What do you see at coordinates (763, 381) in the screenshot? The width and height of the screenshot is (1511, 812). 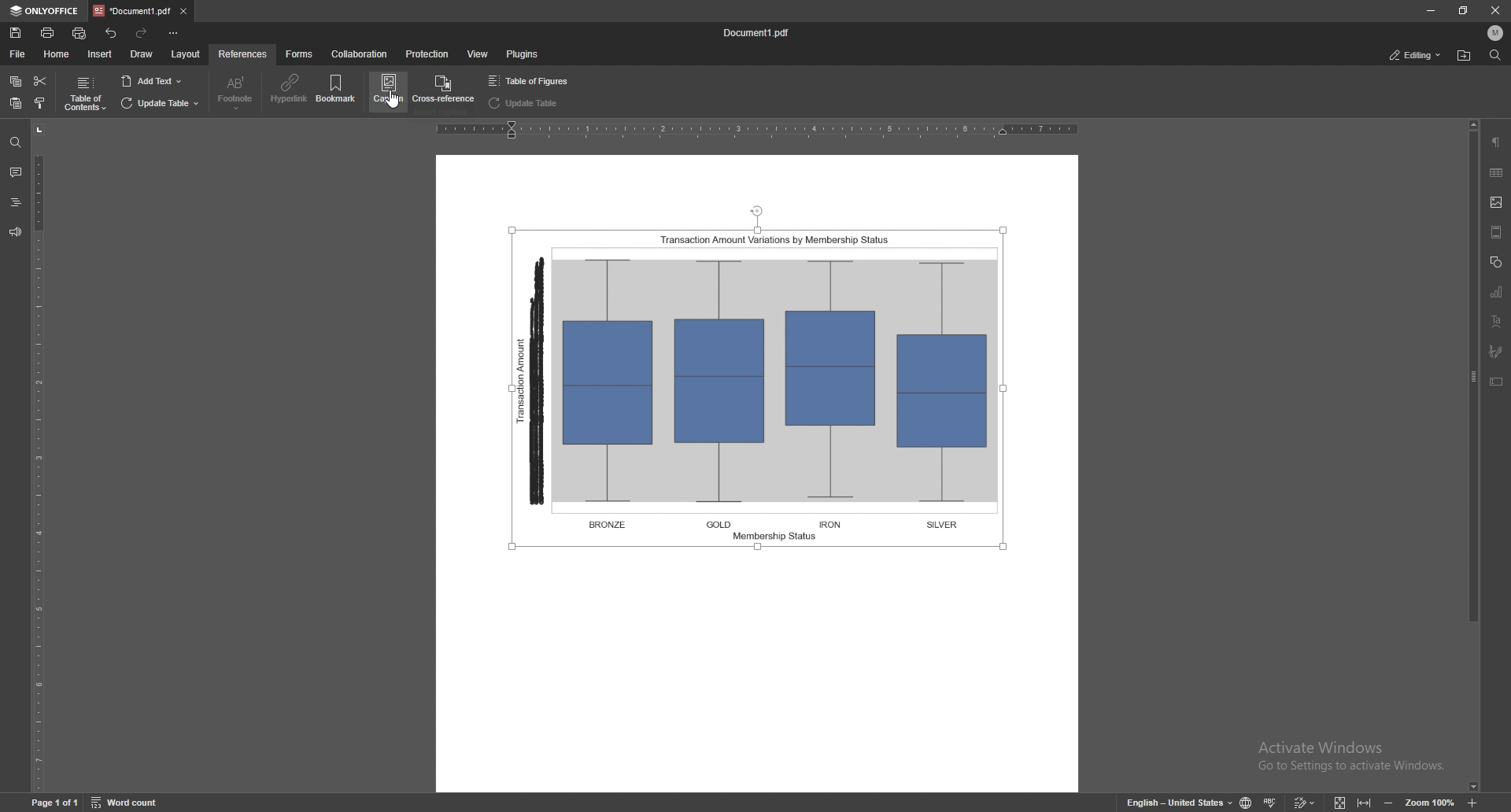 I see `figure` at bounding box center [763, 381].